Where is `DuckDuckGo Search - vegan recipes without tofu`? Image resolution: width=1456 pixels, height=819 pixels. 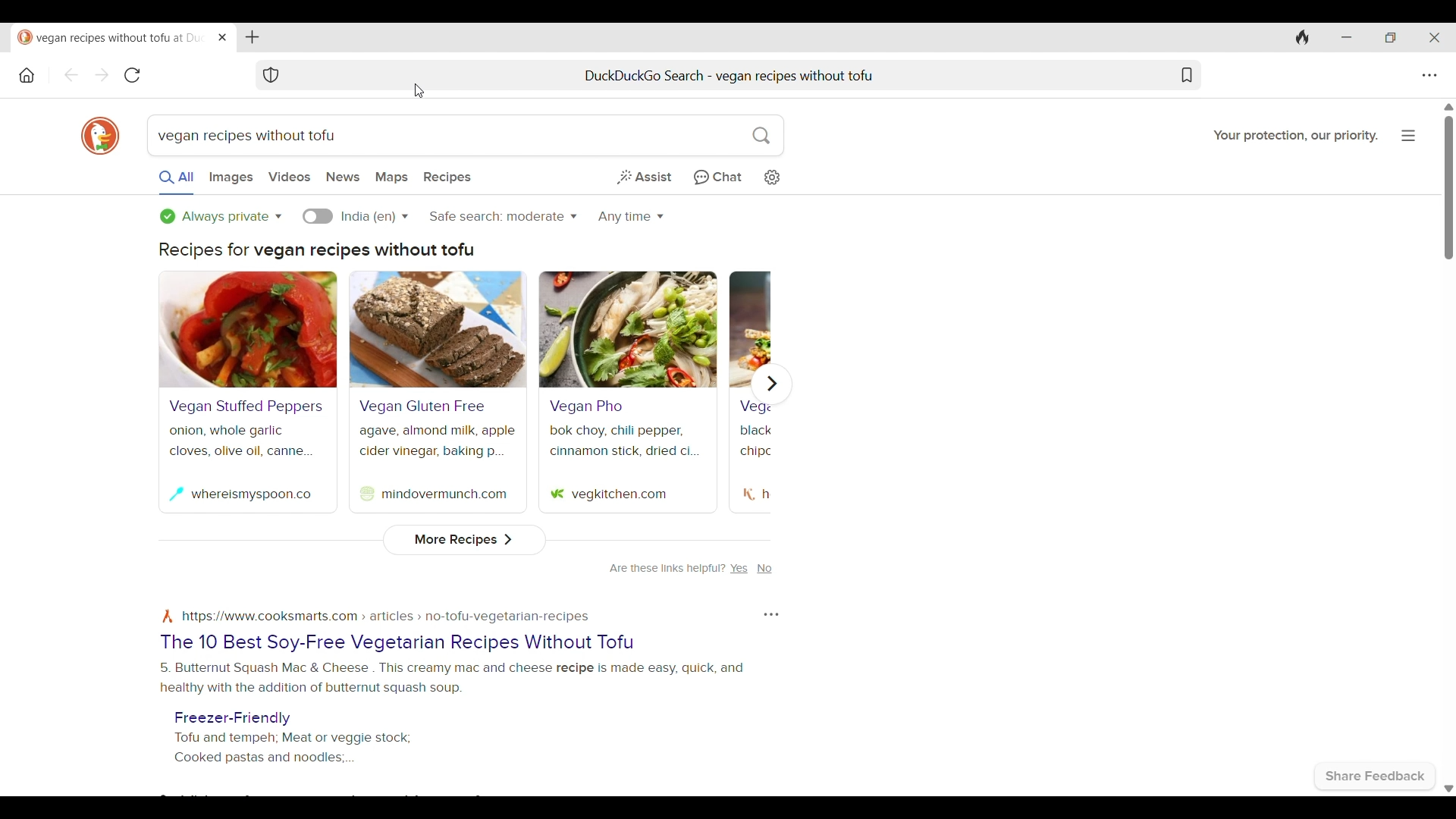
DuckDuckGo Search - vegan recipes without tofu is located at coordinates (731, 75).